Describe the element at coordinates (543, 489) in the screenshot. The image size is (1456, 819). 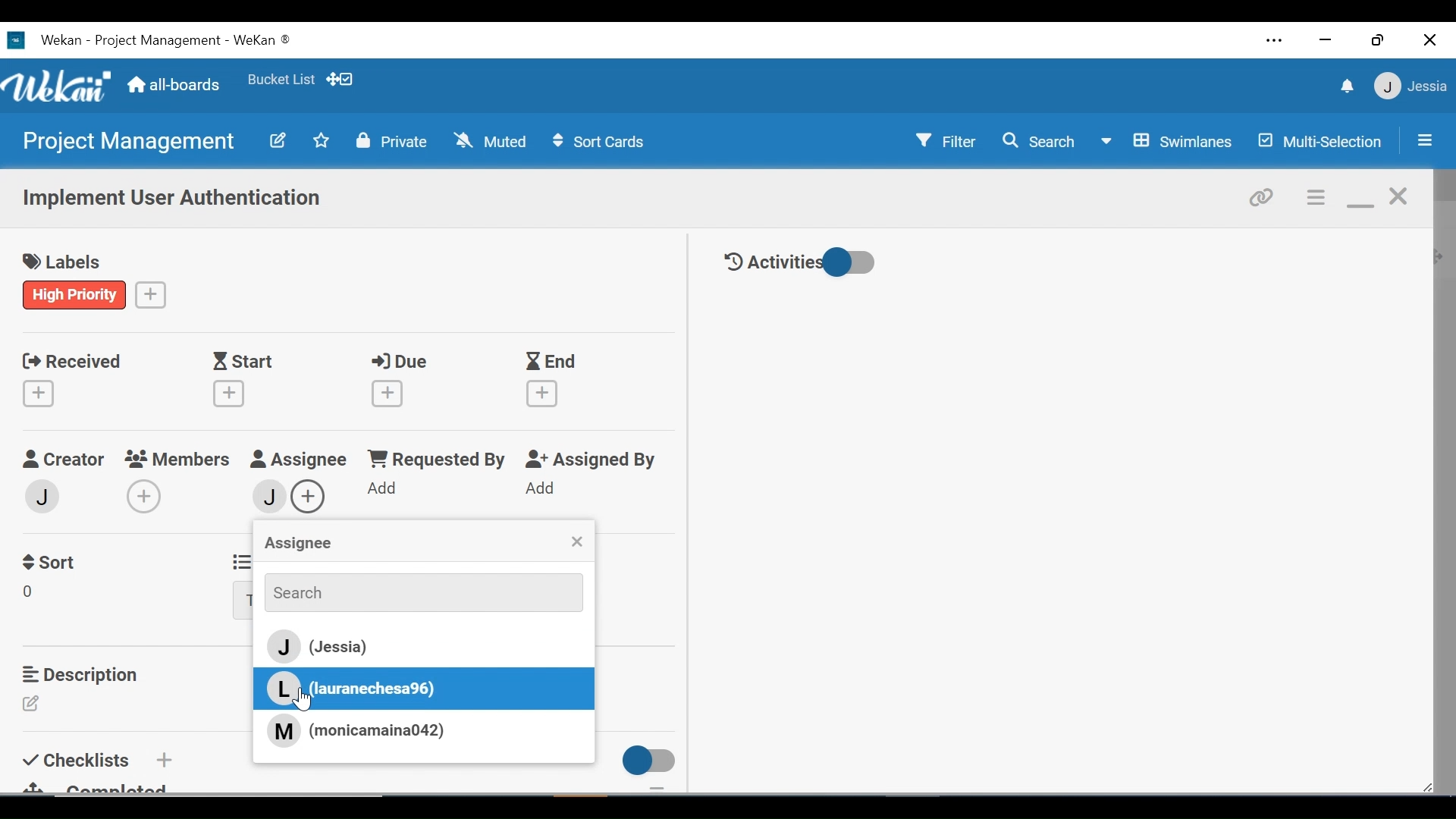
I see `Add` at that location.